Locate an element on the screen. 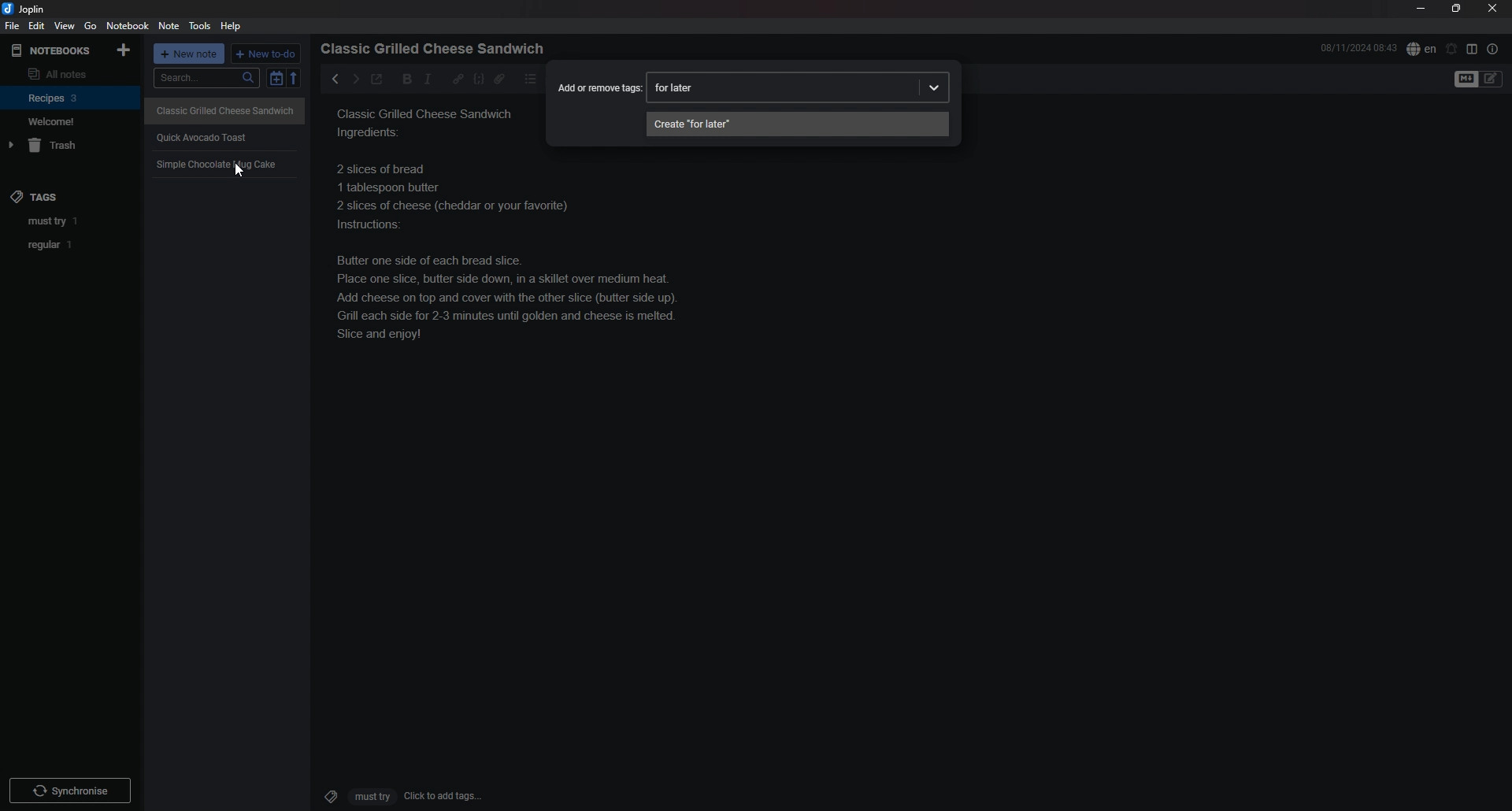 The height and width of the screenshot is (811, 1512). all notes is located at coordinates (68, 73).